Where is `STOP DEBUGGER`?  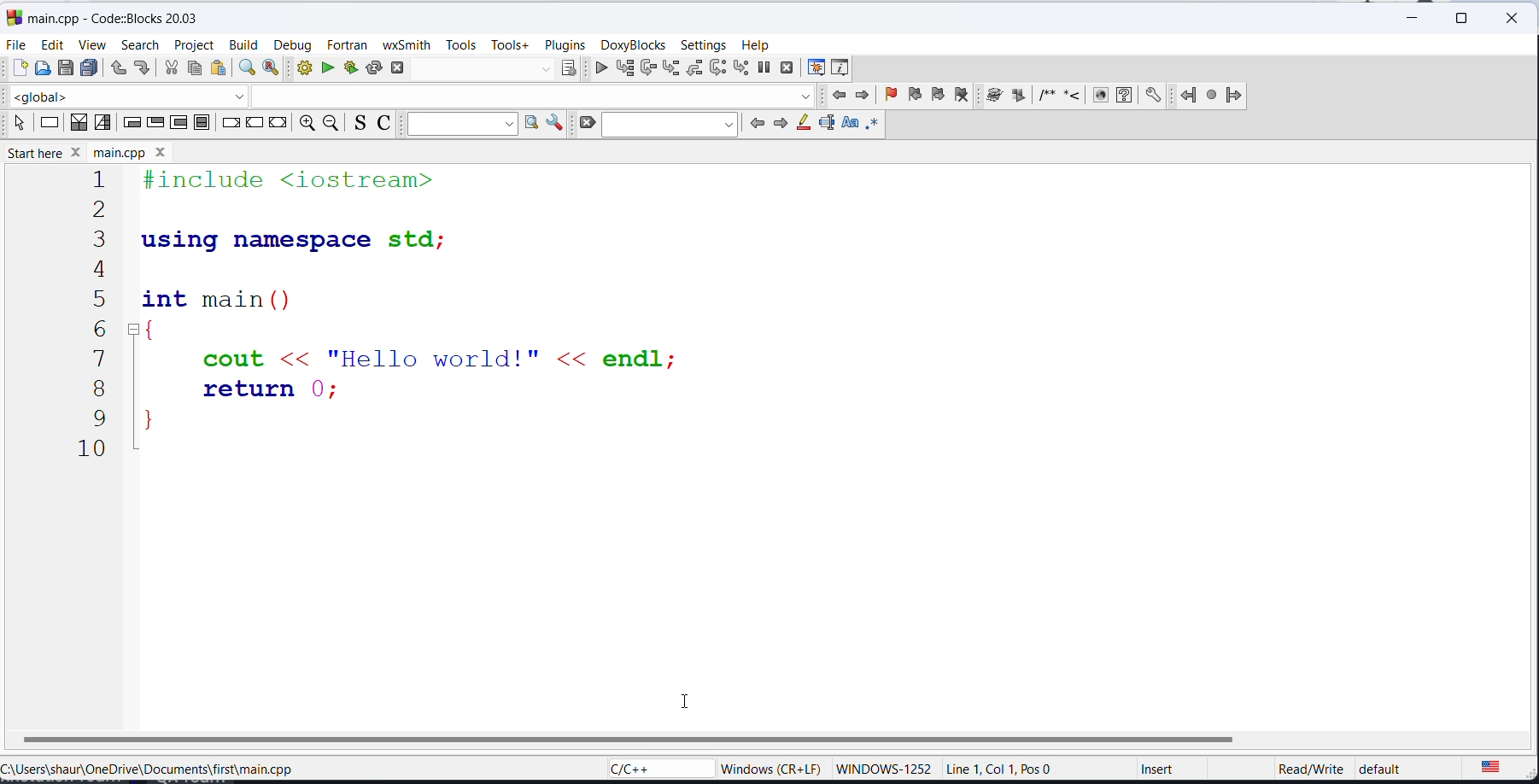 STOP DEBUGGER is located at coordinates (787, 67).